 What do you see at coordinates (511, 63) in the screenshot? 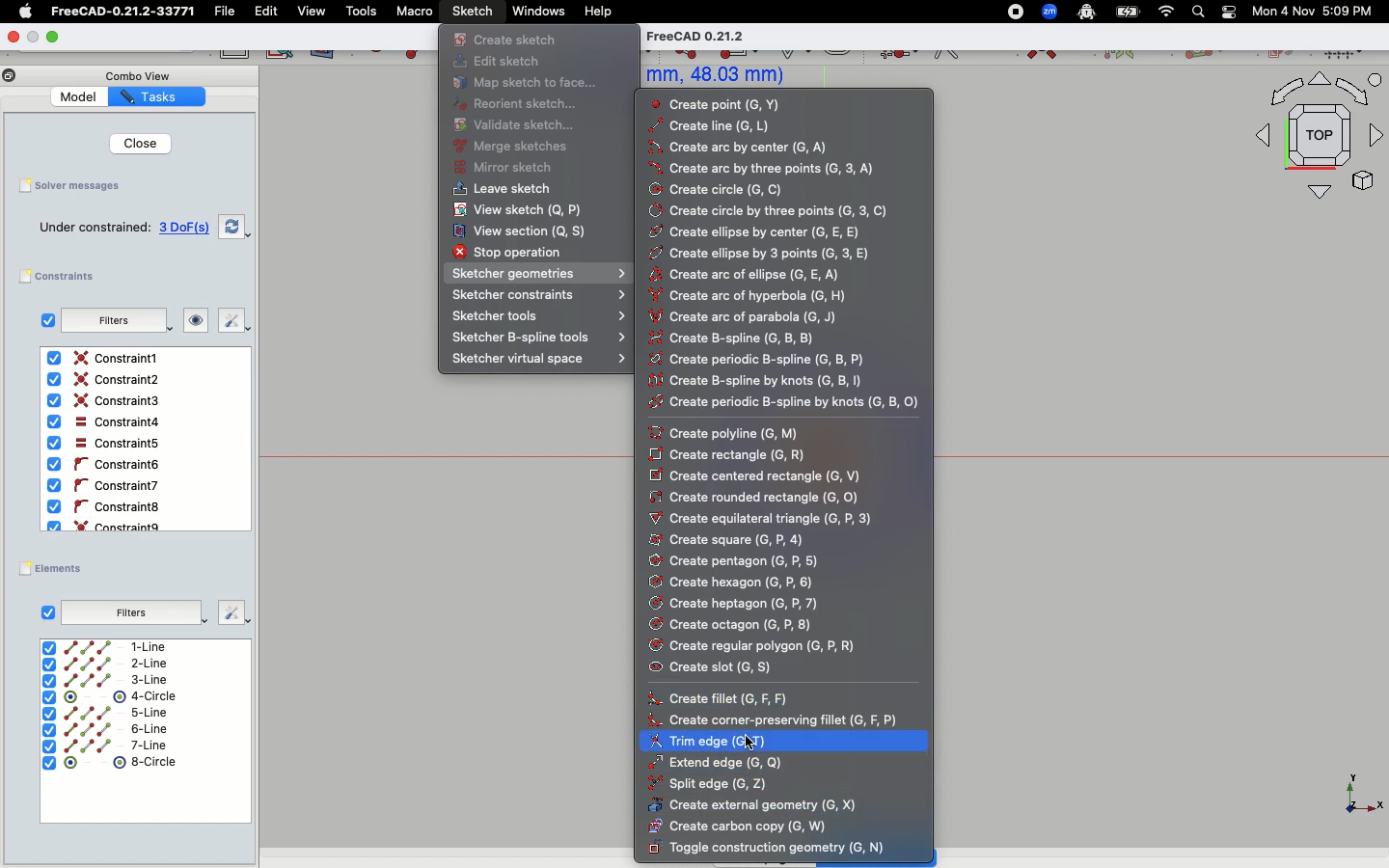
I see `Edit sketch` at bounding box center [511, 63].